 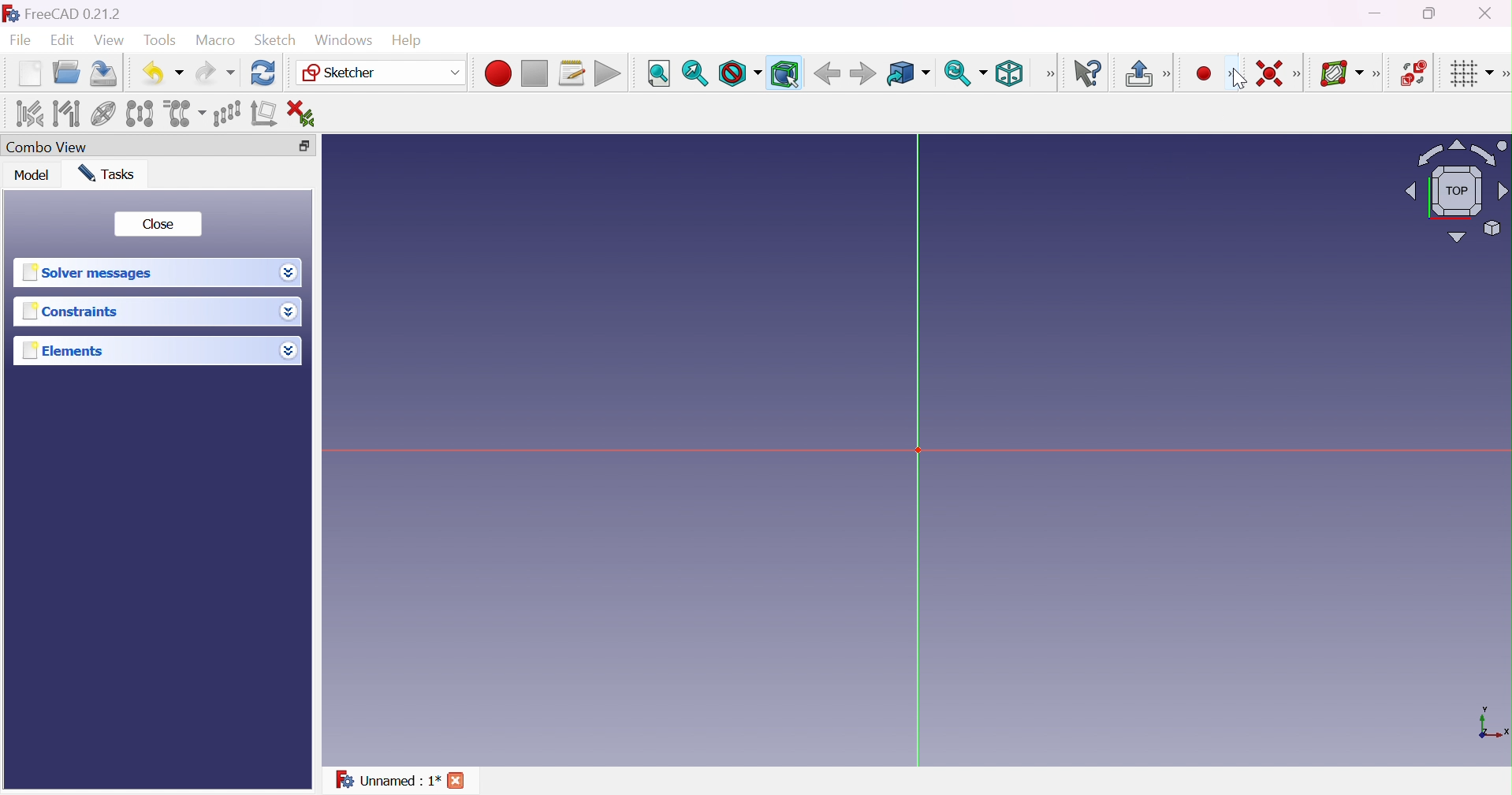 What do you see at coordinates (72, 351) in the screenshot?
I see `Elements` at bounding box center [72, 351].